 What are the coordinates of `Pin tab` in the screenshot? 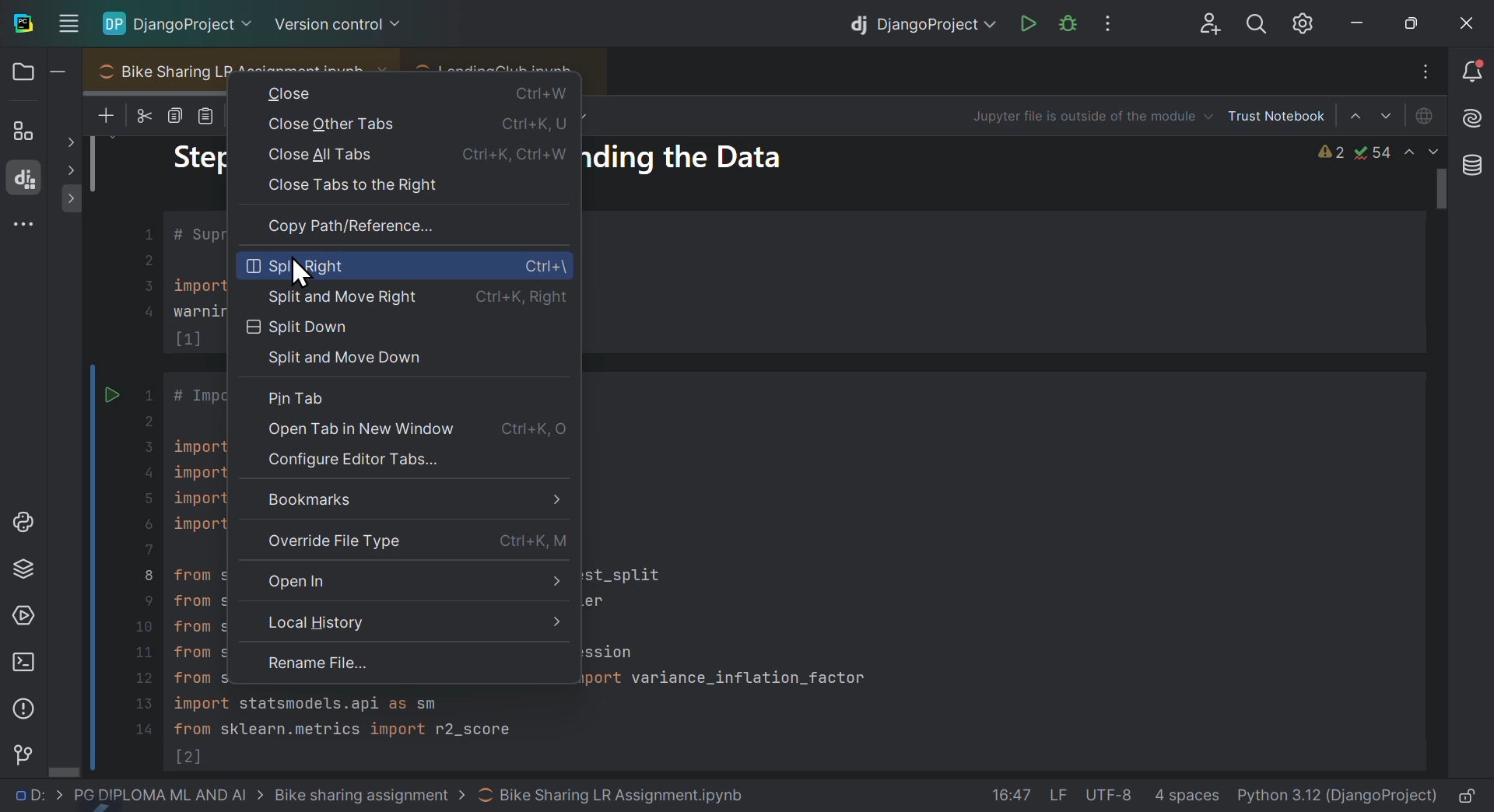 It's located at (307, 397).